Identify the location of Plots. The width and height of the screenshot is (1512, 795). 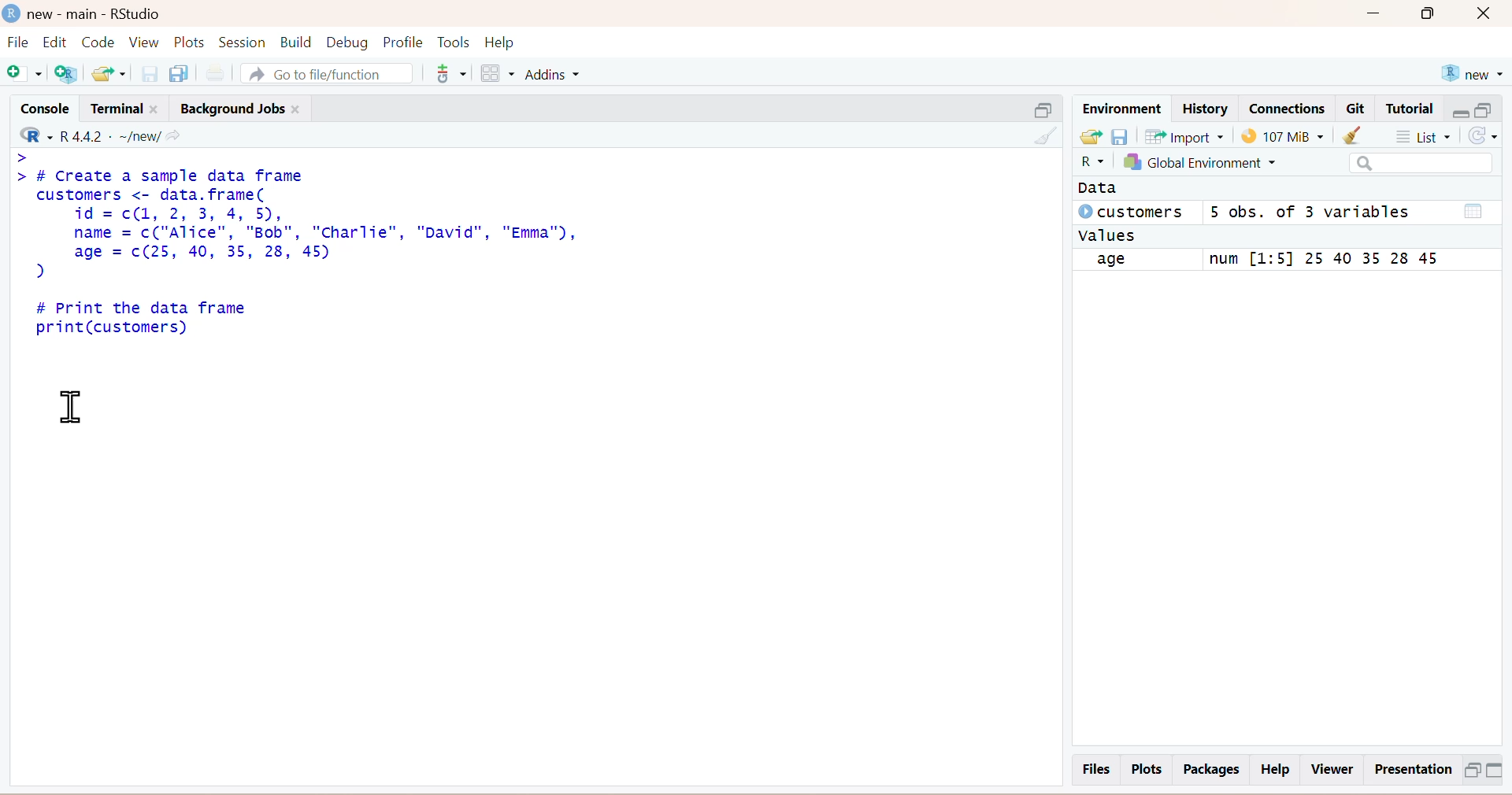
(1147, 769).